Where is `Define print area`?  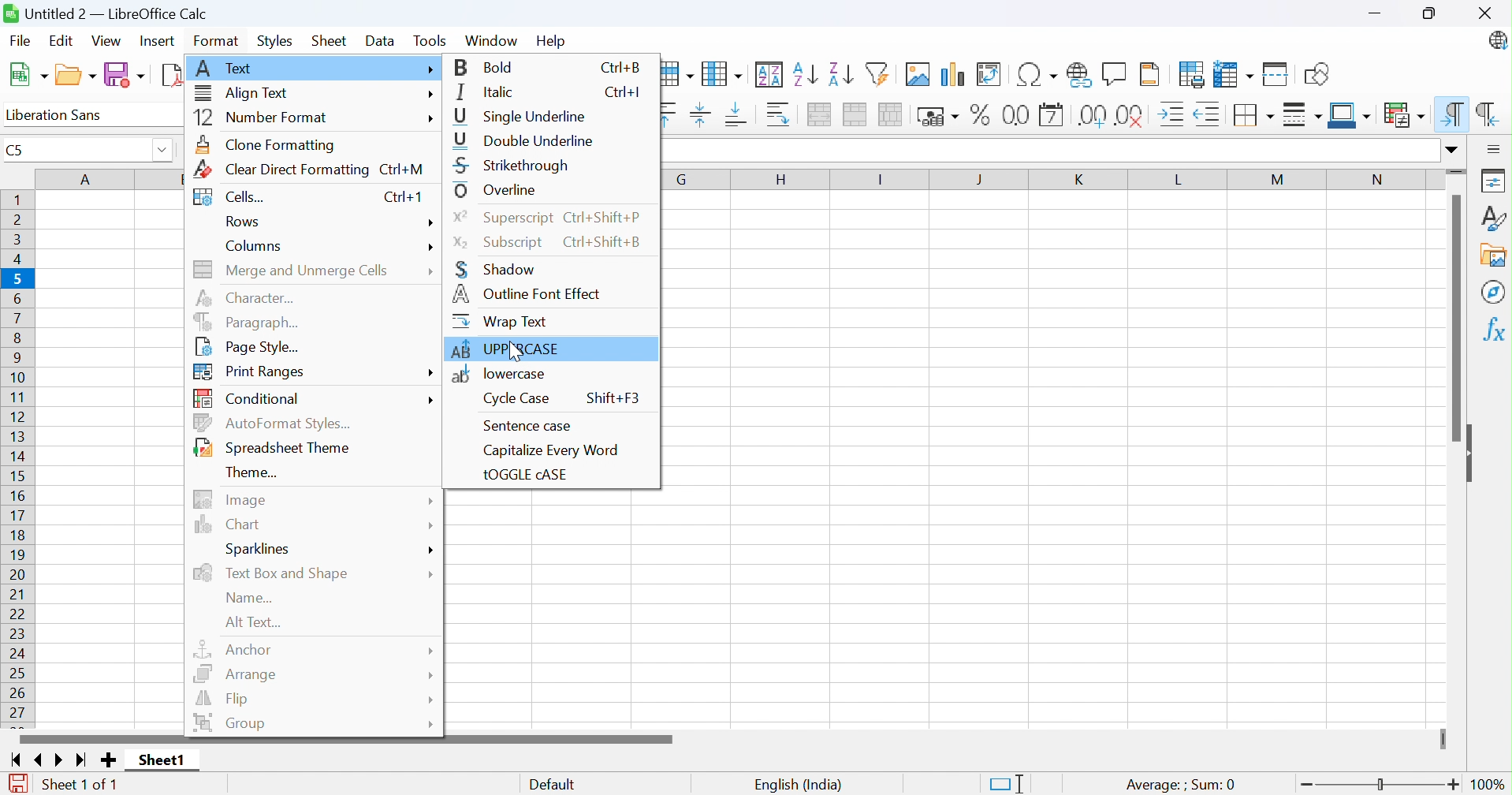 Define print area is located at coordinates (1194, 74).